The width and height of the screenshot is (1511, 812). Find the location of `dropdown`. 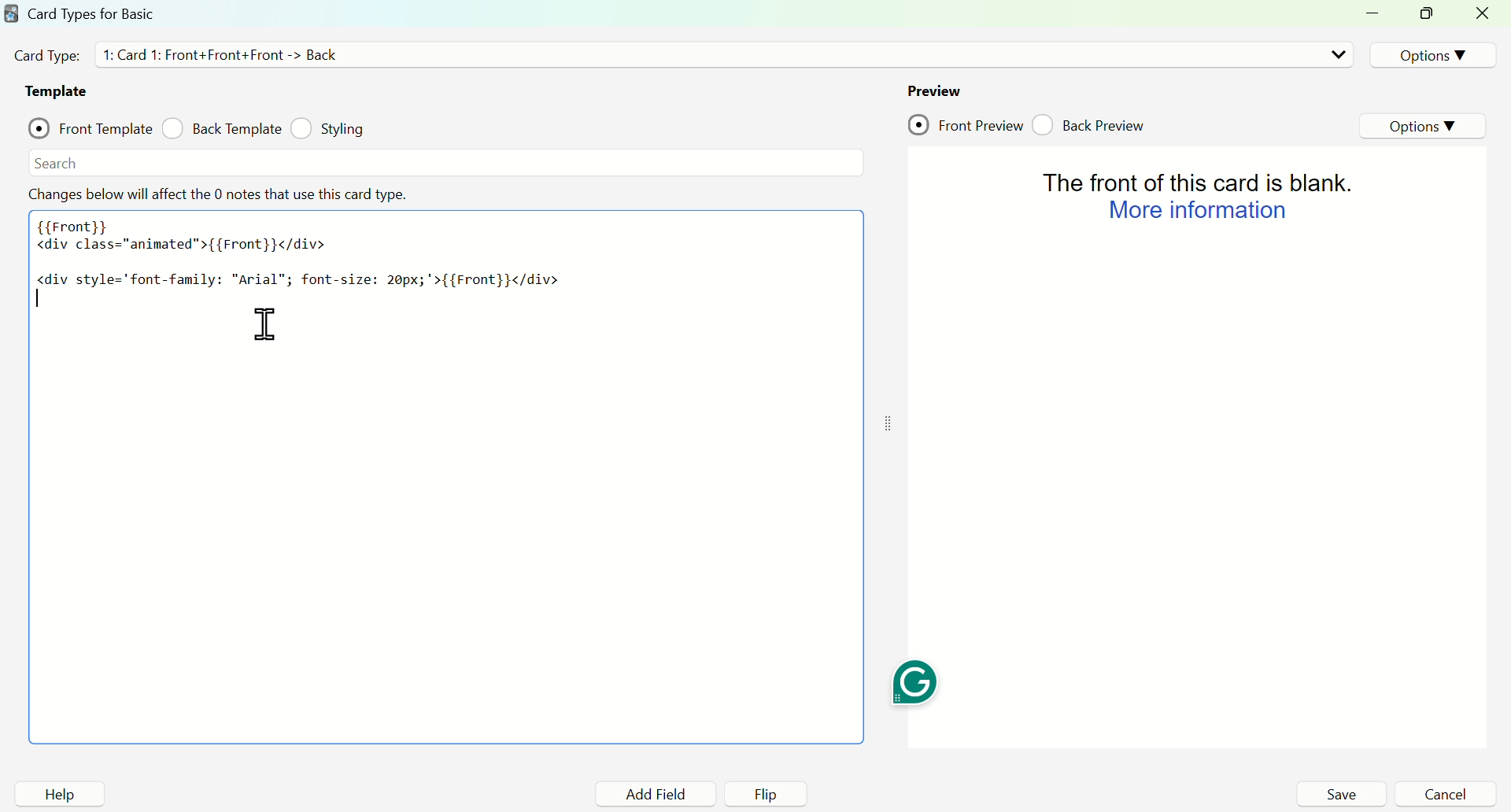

dropdown is located at coordinates (1338, 54).